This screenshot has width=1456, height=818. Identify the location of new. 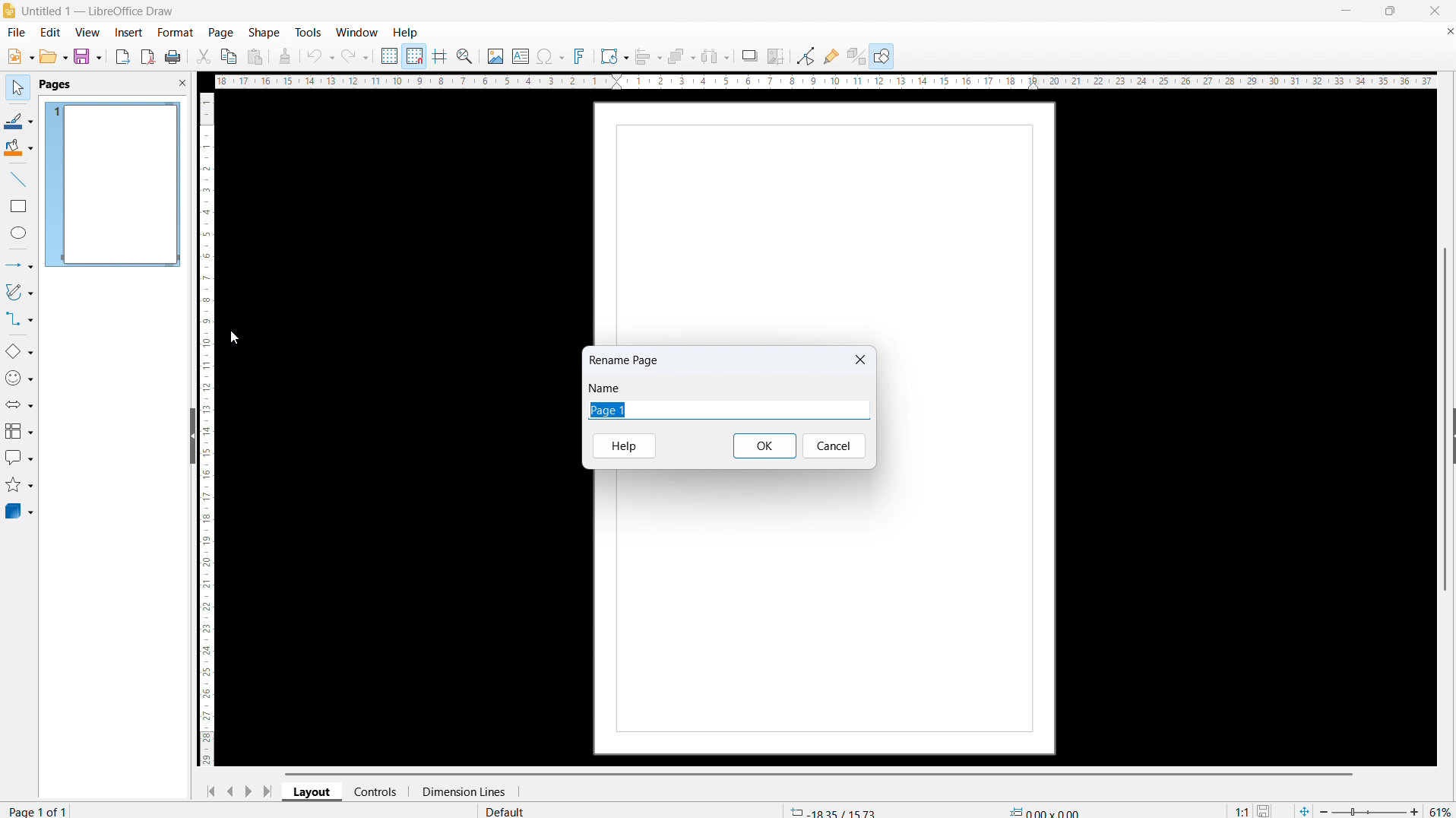
(18, 56).